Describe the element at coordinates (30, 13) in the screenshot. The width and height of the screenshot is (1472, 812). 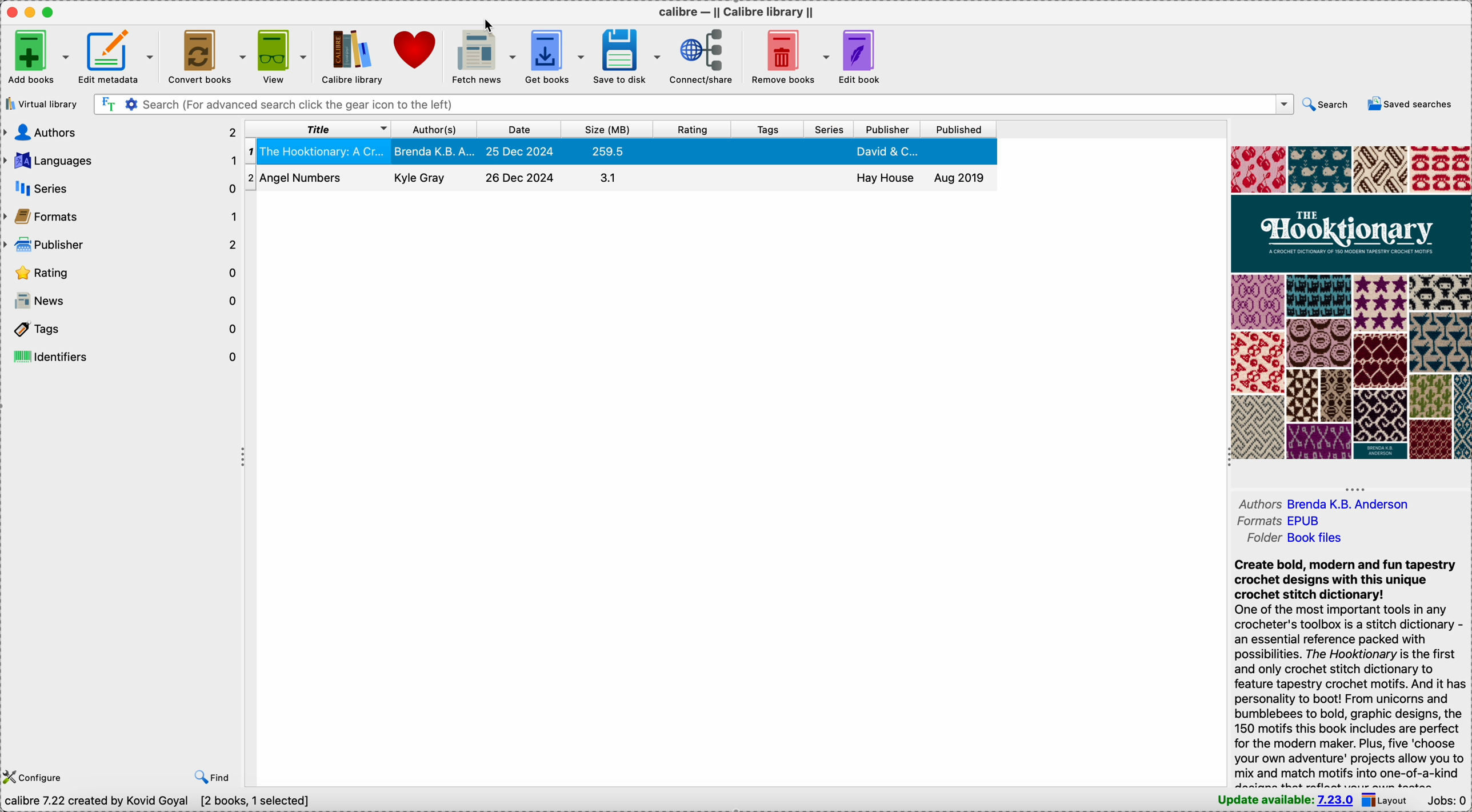
I see `minimize Calibre` at that location.